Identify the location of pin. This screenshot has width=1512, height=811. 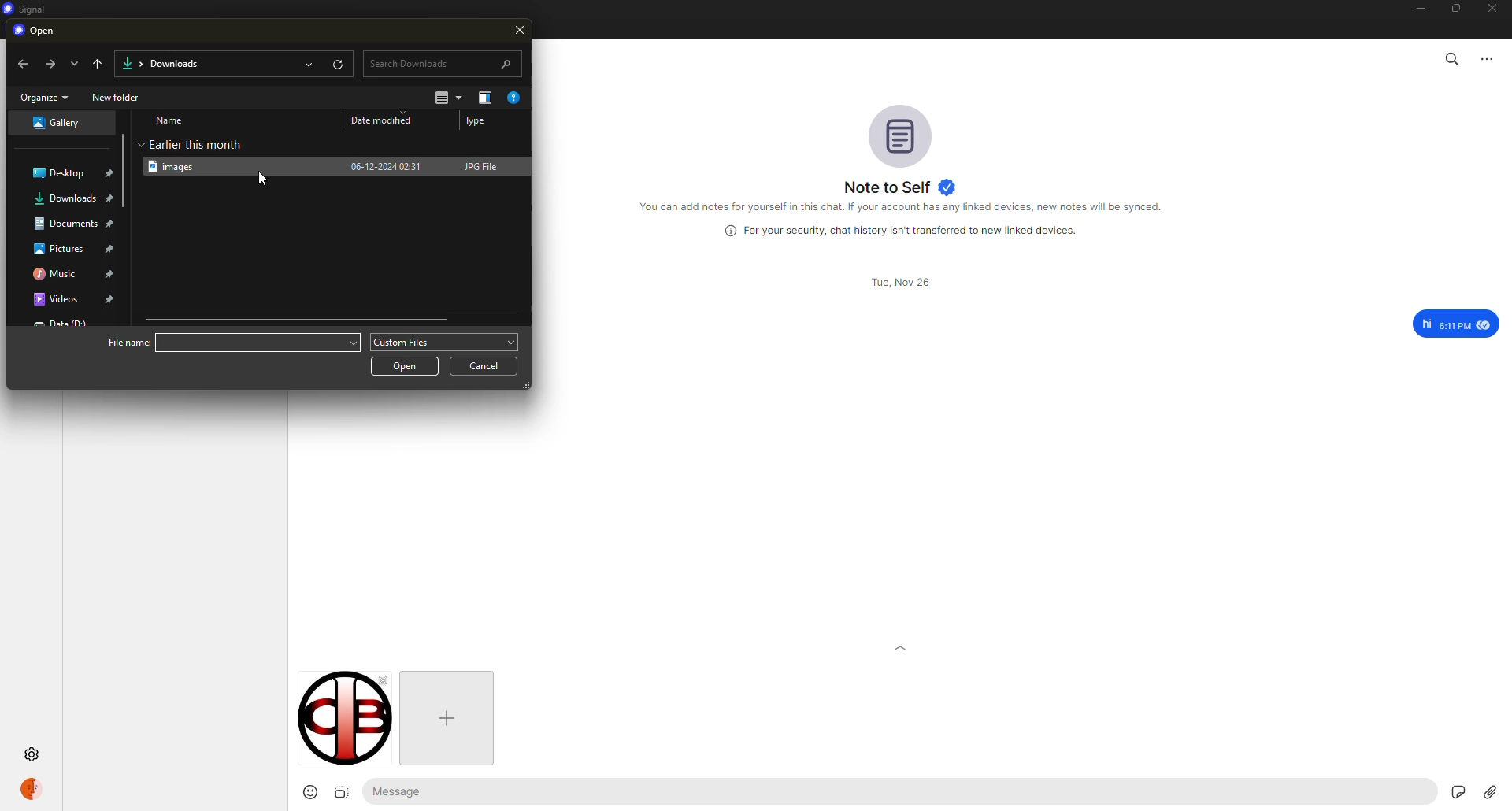
(111, 250).